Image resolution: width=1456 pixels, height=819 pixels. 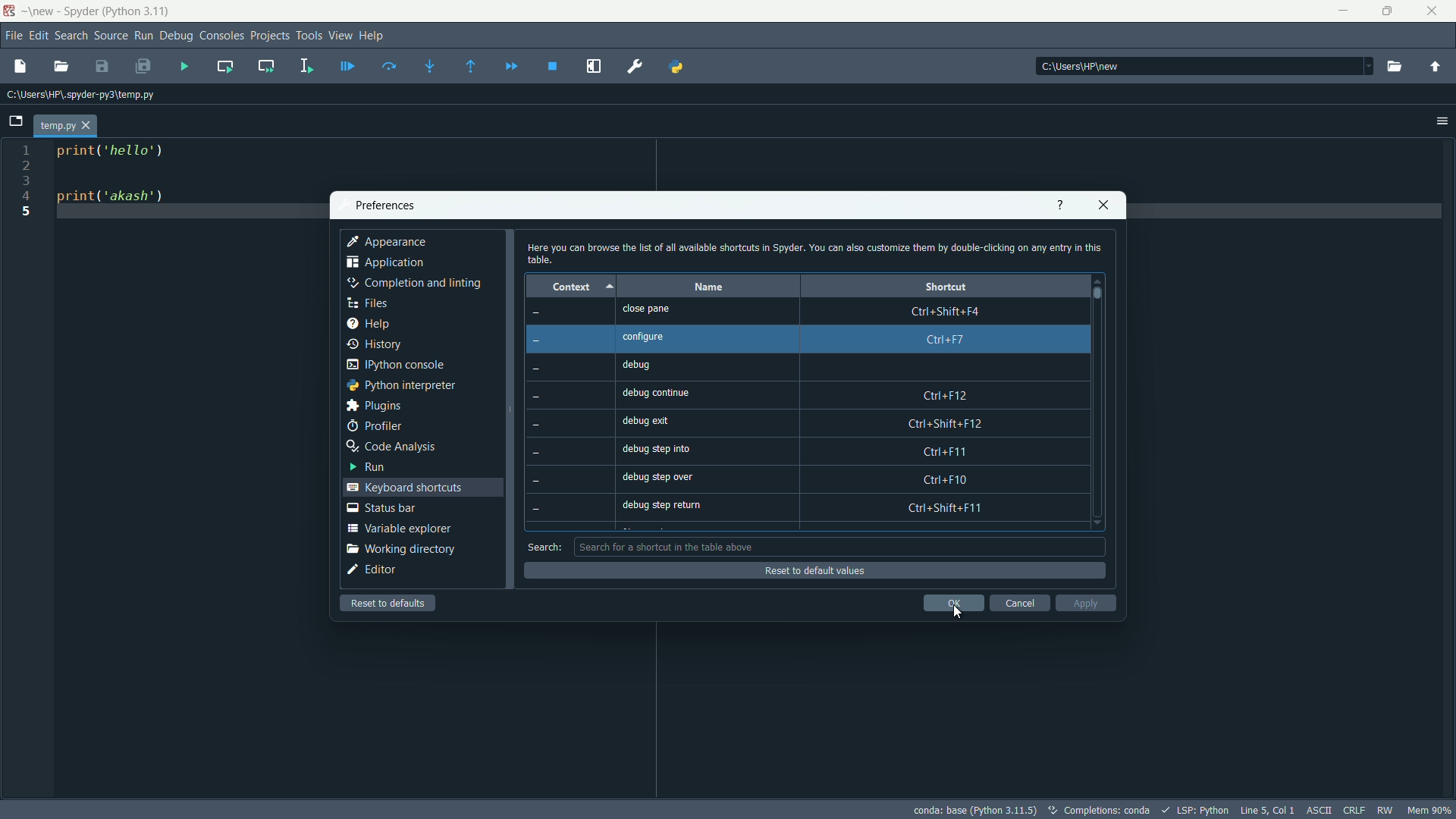 I want to click on \new-Spyder (Python 3.11), so click(x=99, y=11).